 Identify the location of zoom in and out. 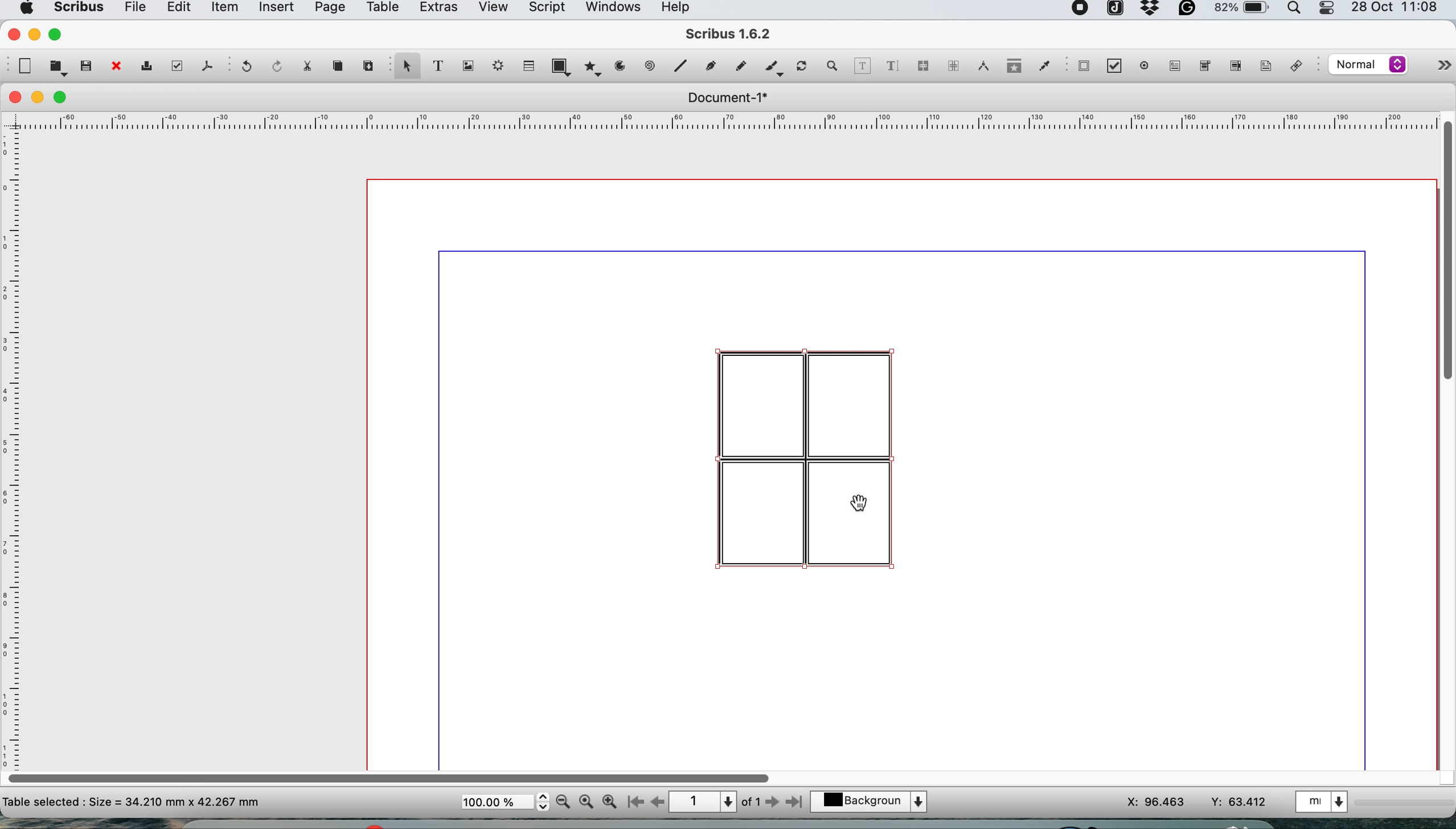
(833, 66).